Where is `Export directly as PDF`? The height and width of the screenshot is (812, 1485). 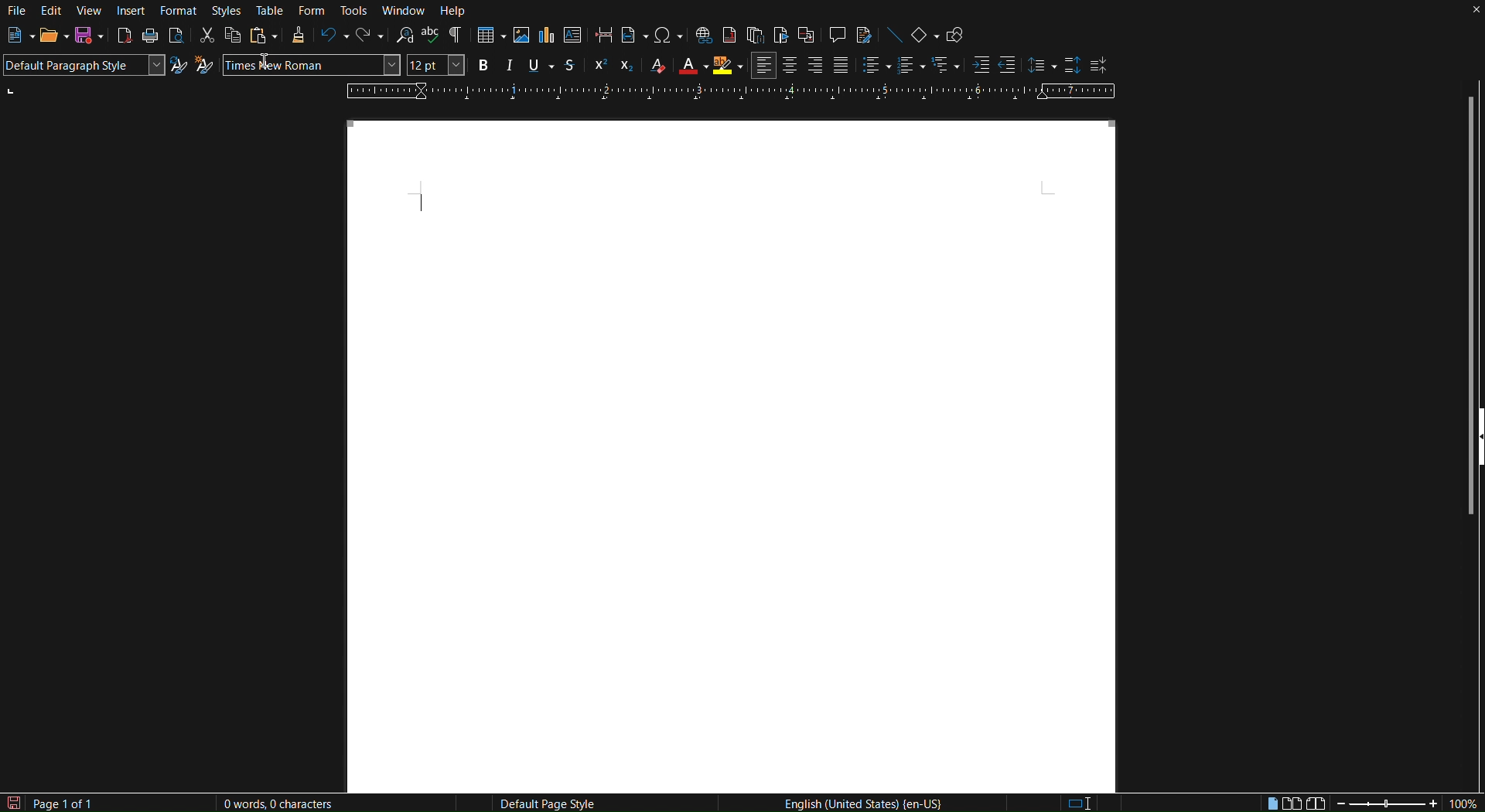 Export directly as PDF is located at coordinates (125, 37).